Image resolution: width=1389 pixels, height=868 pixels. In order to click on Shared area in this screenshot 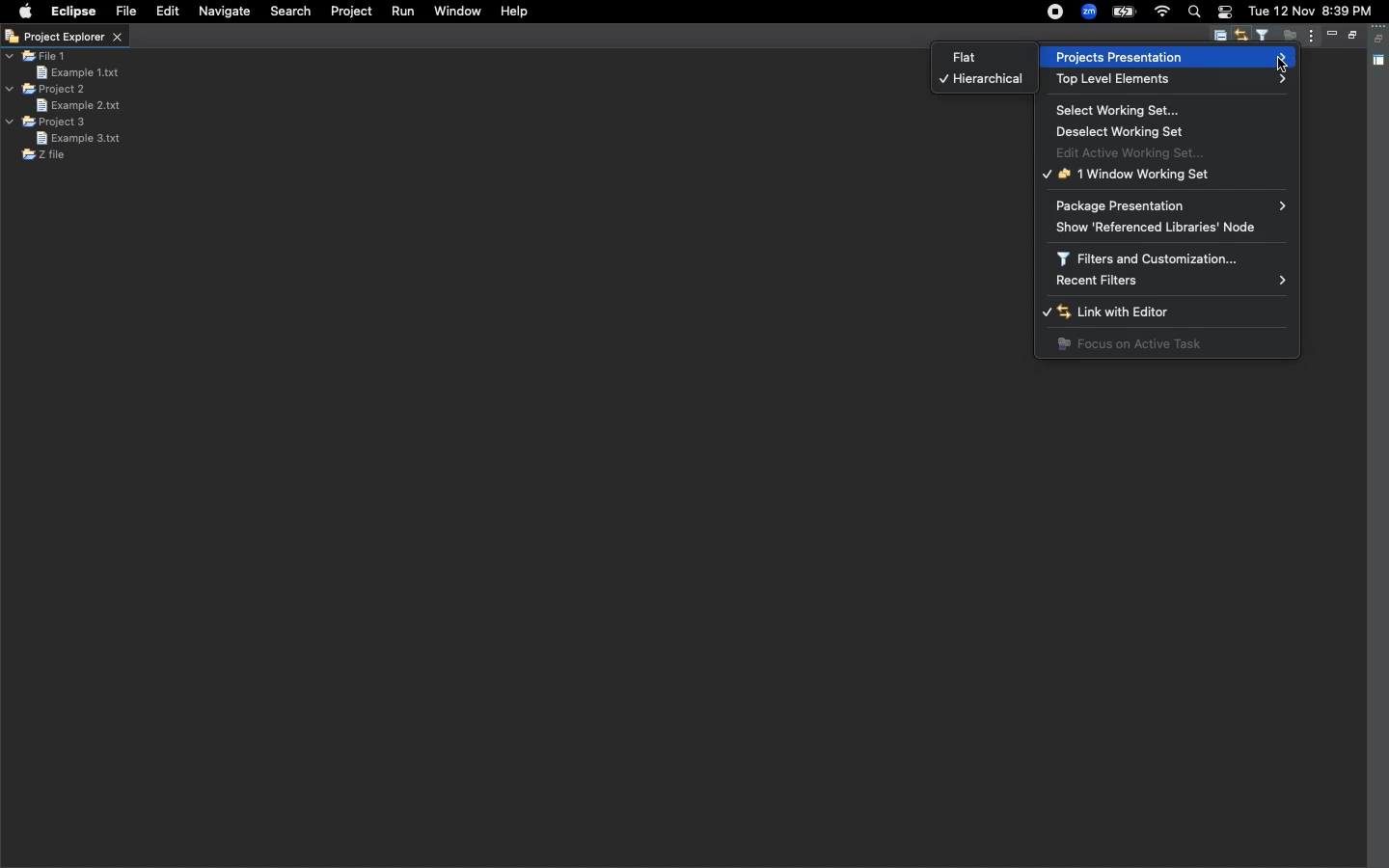, I will do `click(1380, 62)`.